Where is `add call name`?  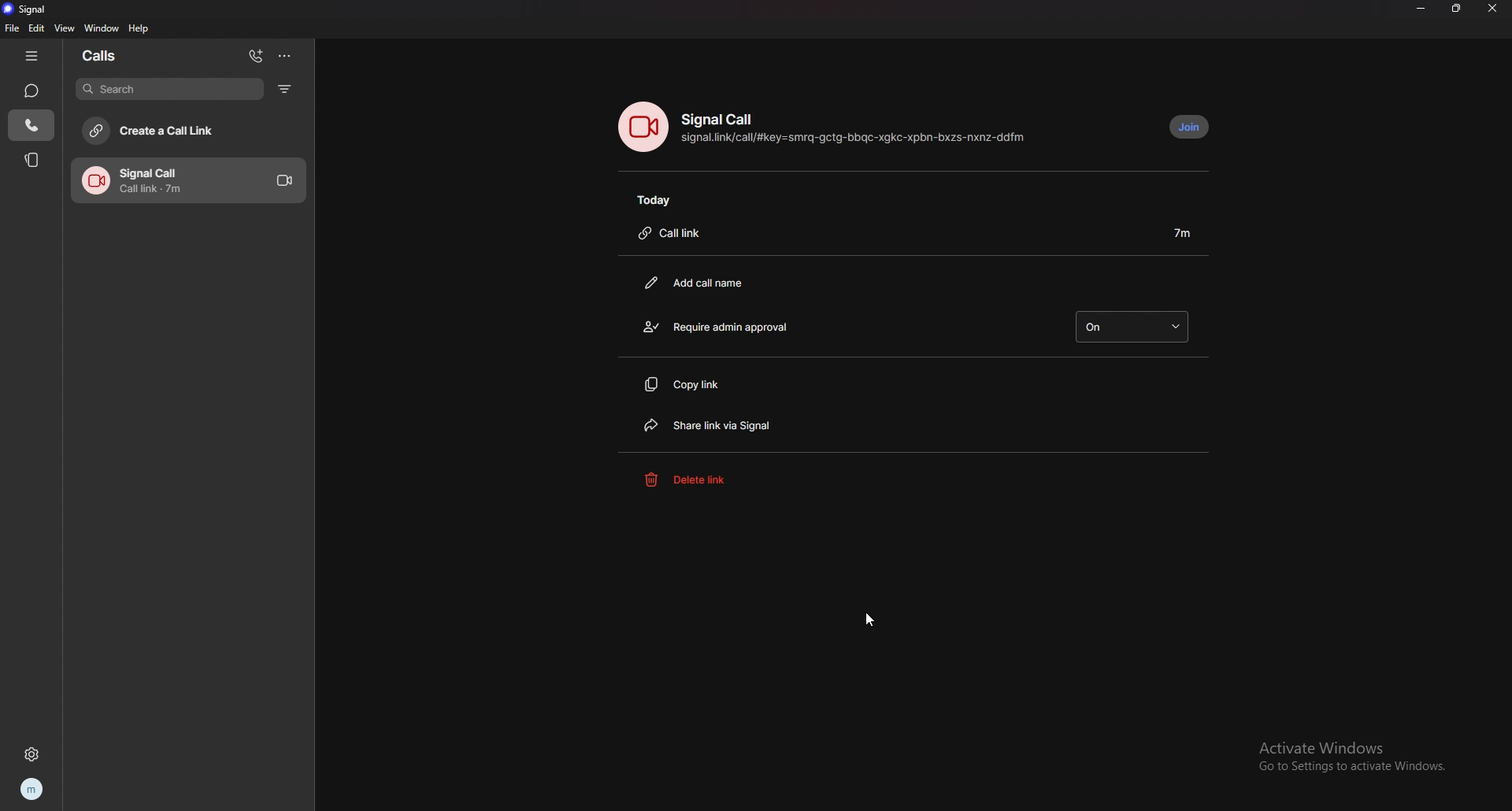 add call name is located at coordinates (705, 282).